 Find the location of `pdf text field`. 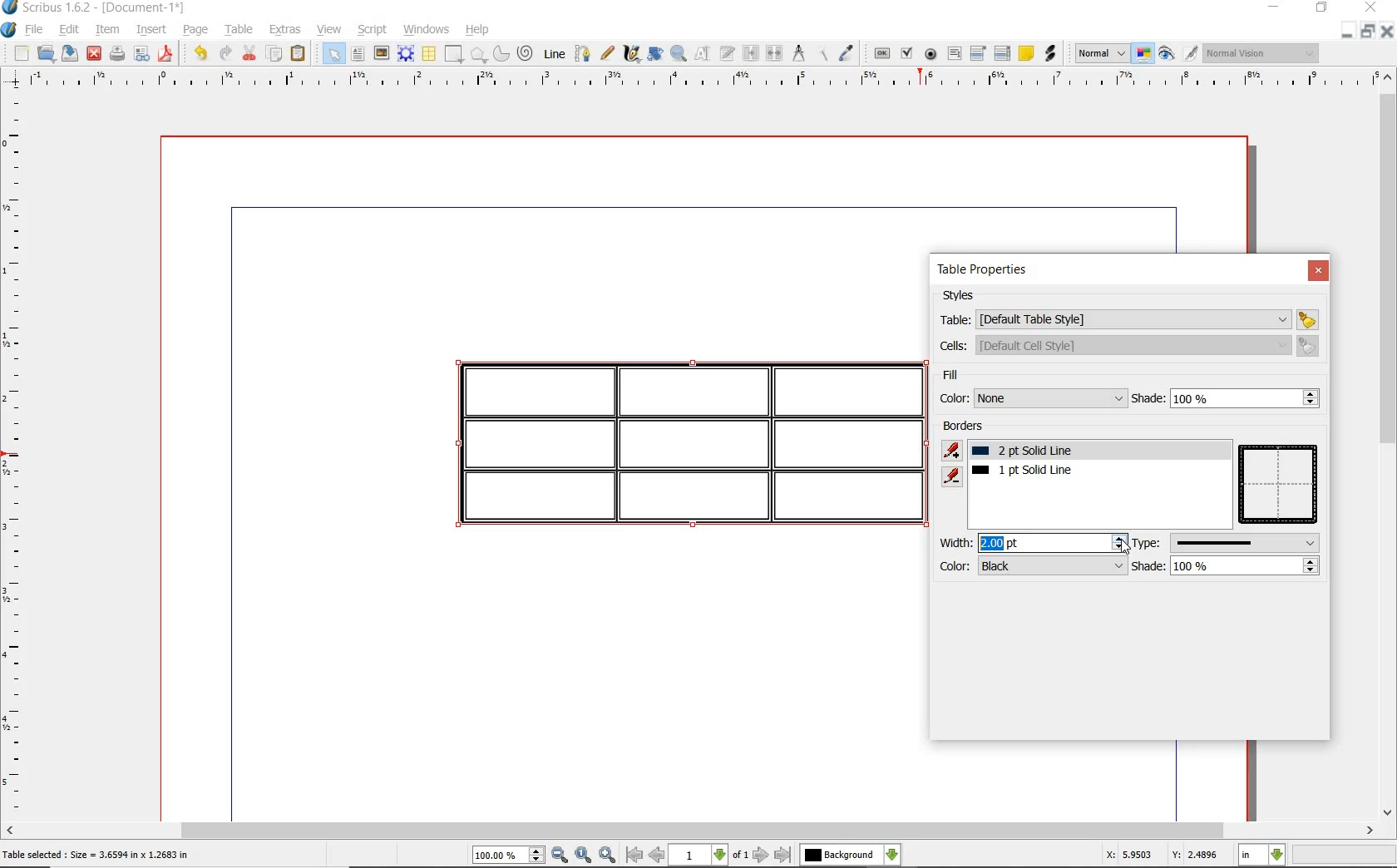

pdf text field is located at coordinates (954, 54).